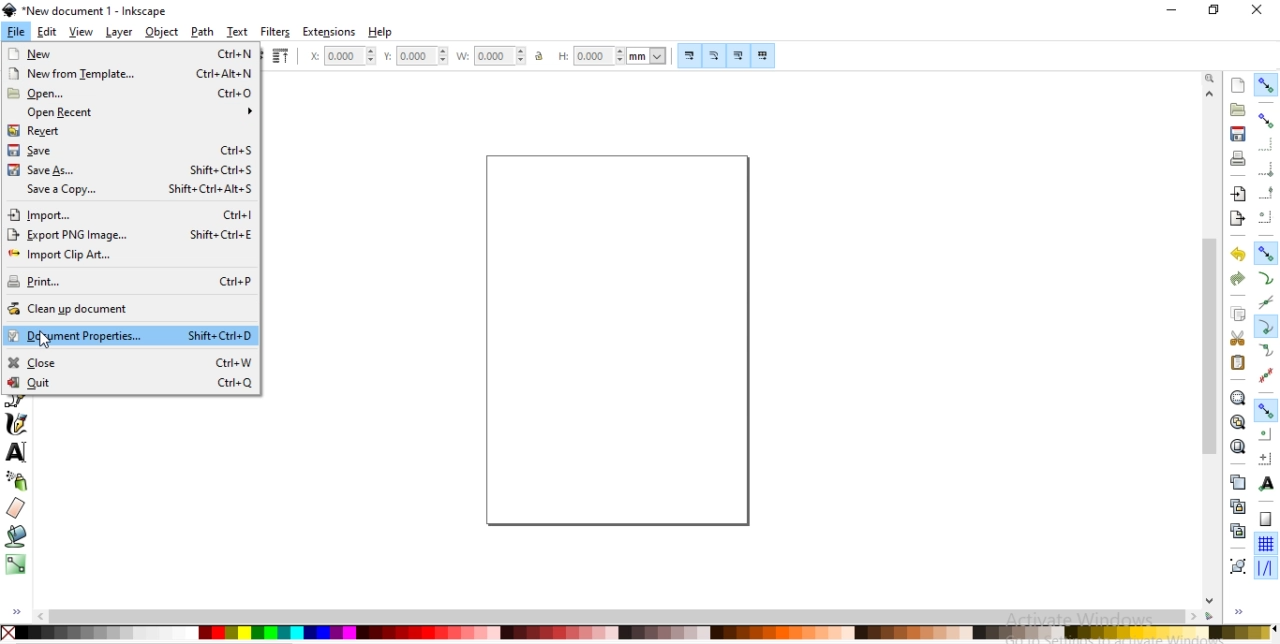  What do you see at coordinates (125, 254) in the screenshot?
I see `import ` at bounding box center [125, 254].